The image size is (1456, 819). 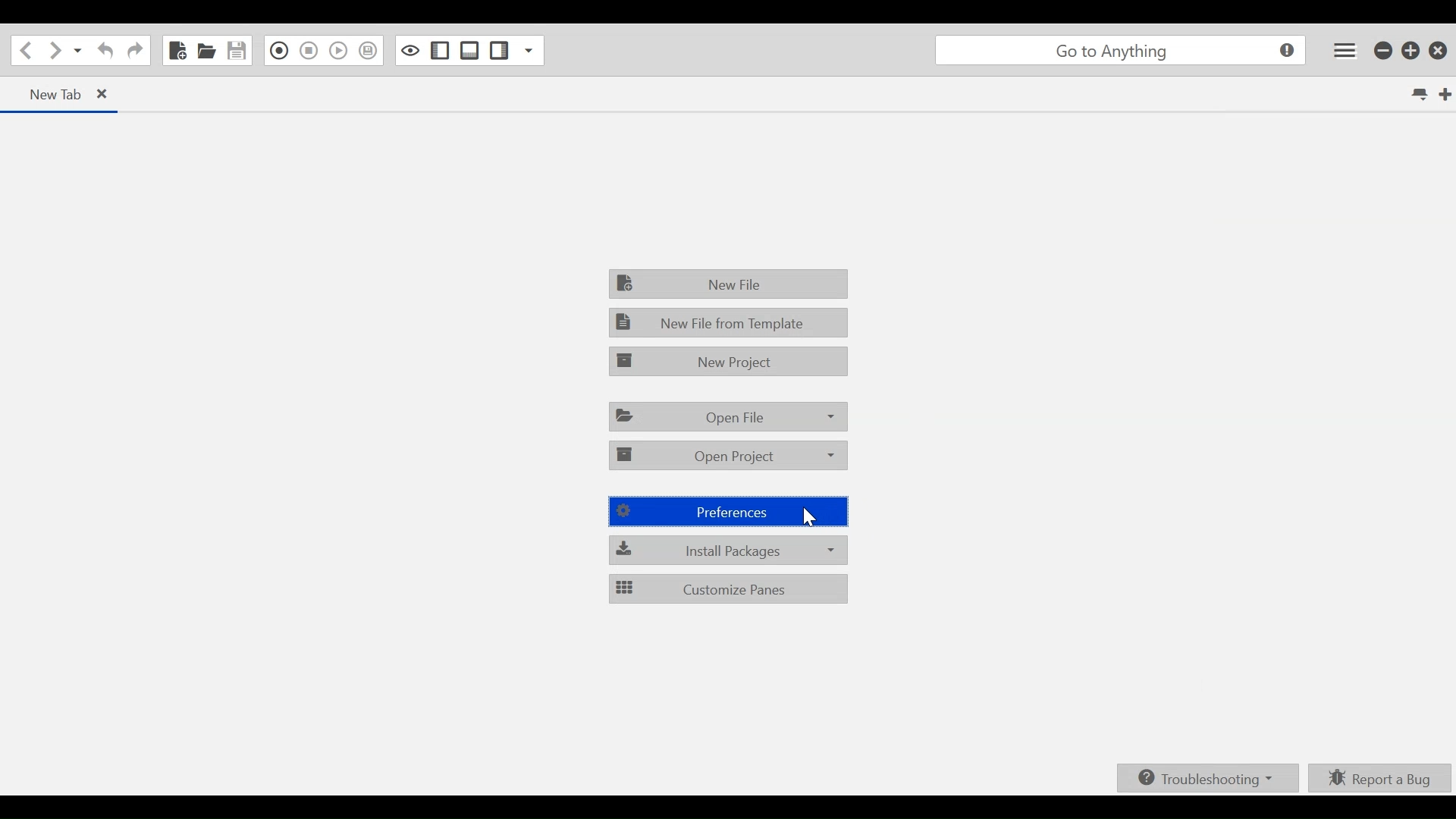 What do you see at coordinates (110, 96) in the screenshot?
I see `close` at bounding box center [110, 96].